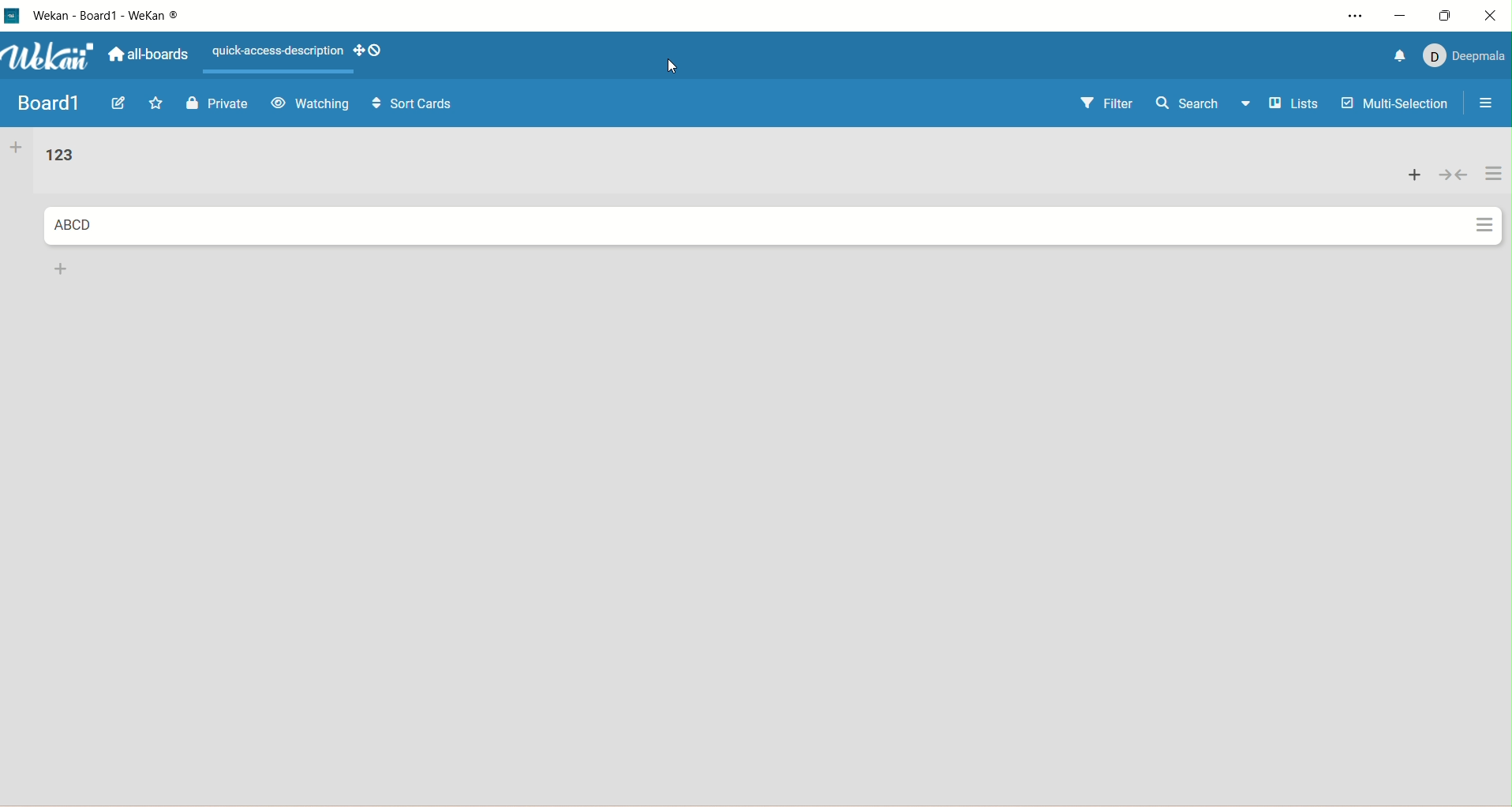 The image size is (1512, 807). Describe the element at coordinates (122, 104) in the screenshot. I see `edit` at that location.